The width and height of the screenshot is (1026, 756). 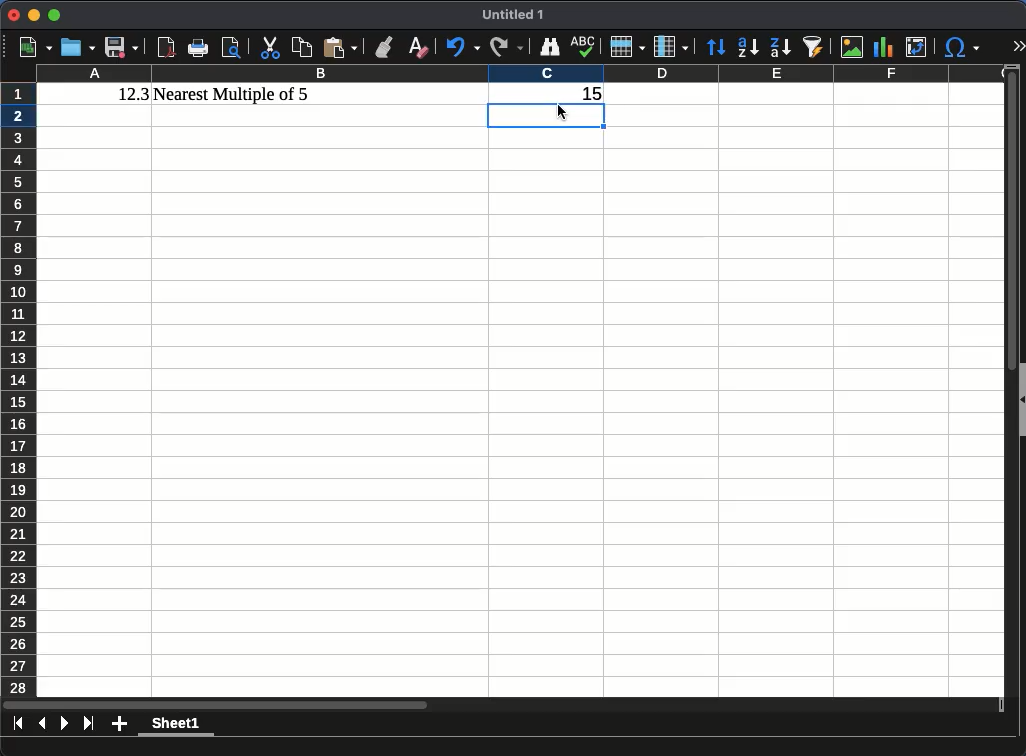 What do you see at coordinates (199, 48) in the screenshot?
I see `print` at bounding box center [199, 48].